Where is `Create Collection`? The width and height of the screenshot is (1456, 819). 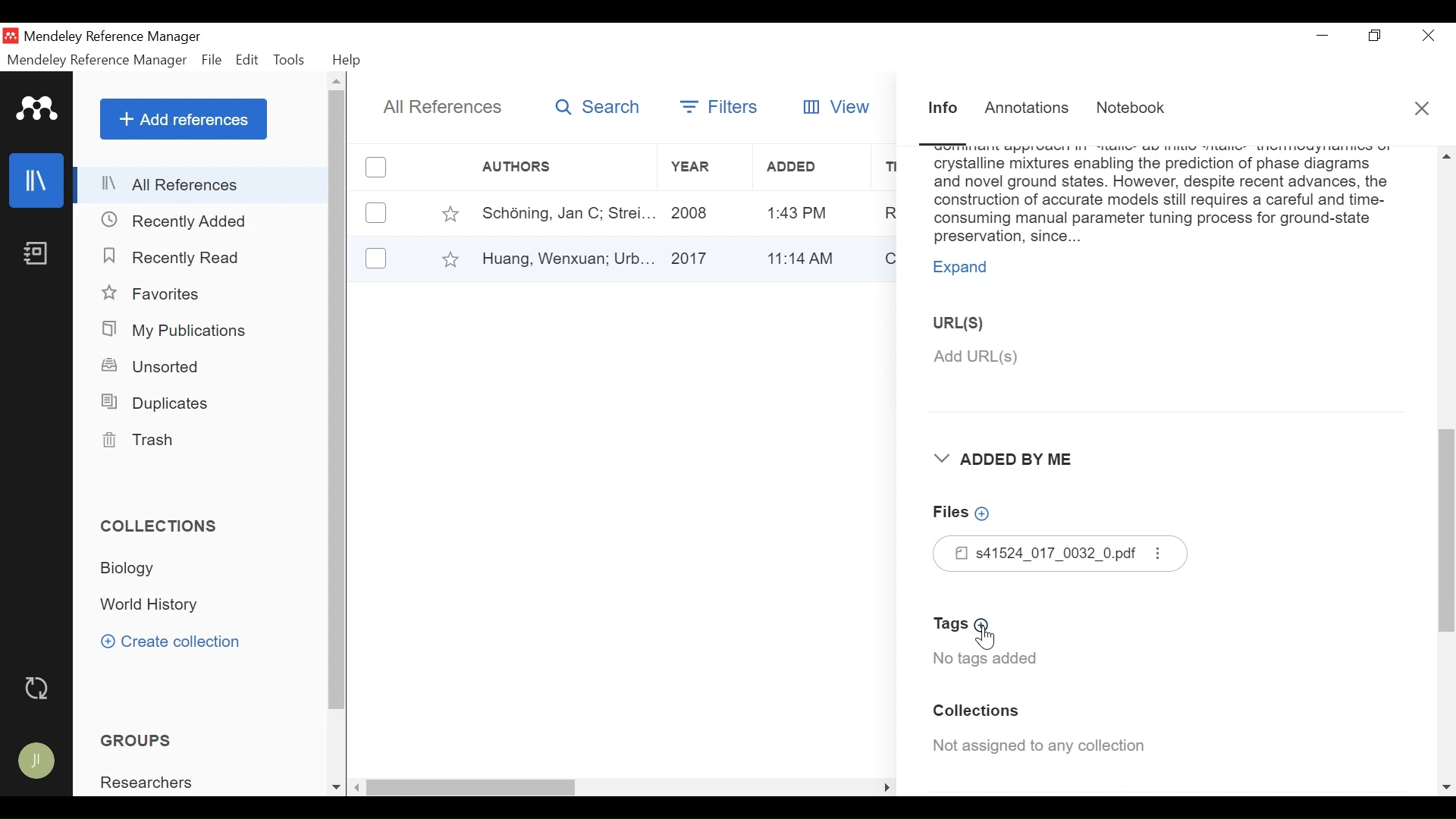
Create Collection is located at coordinates (171, 641).